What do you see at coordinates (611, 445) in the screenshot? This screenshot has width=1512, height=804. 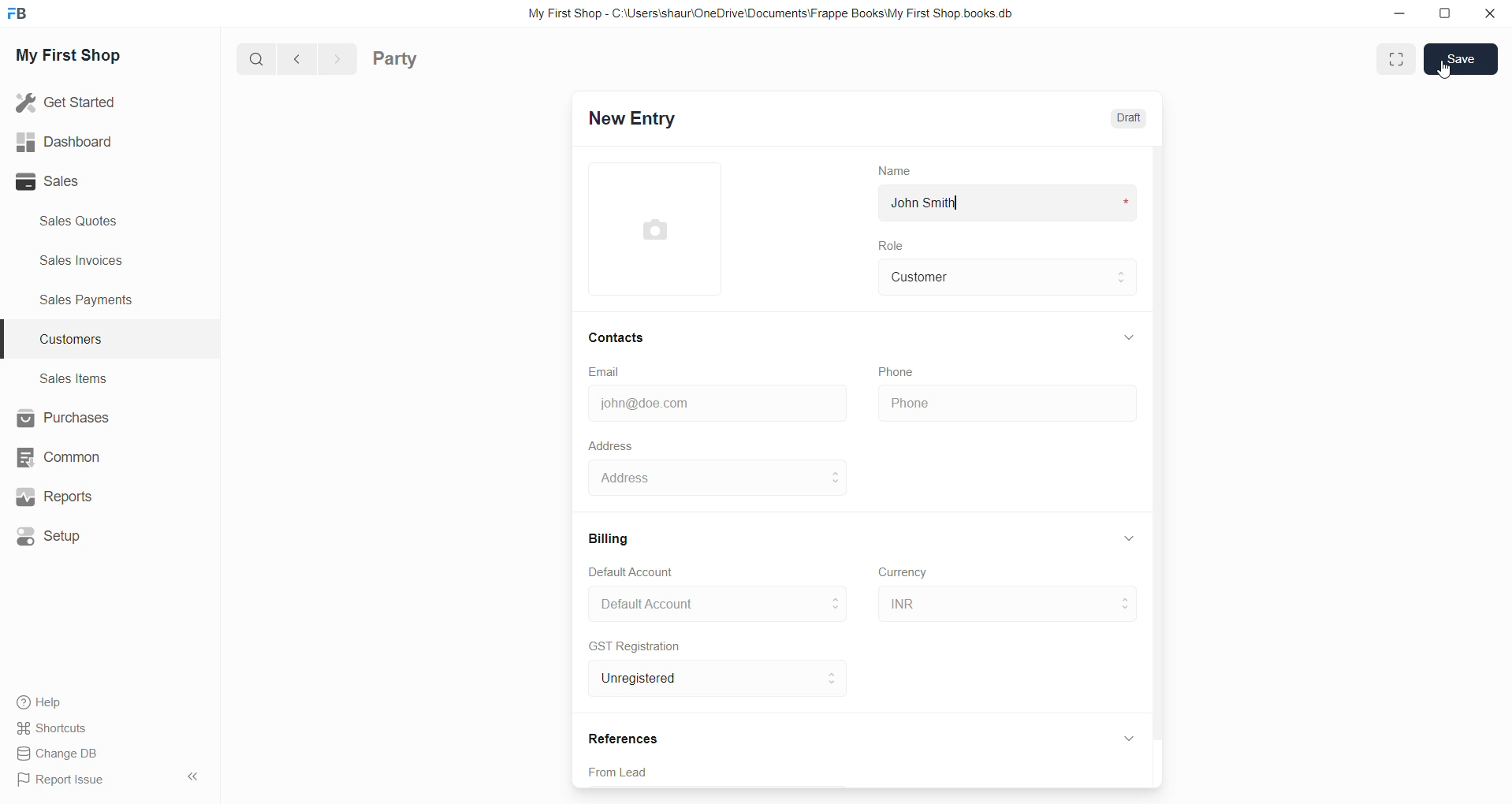 I see `Address` at bounding box center [611, 445].